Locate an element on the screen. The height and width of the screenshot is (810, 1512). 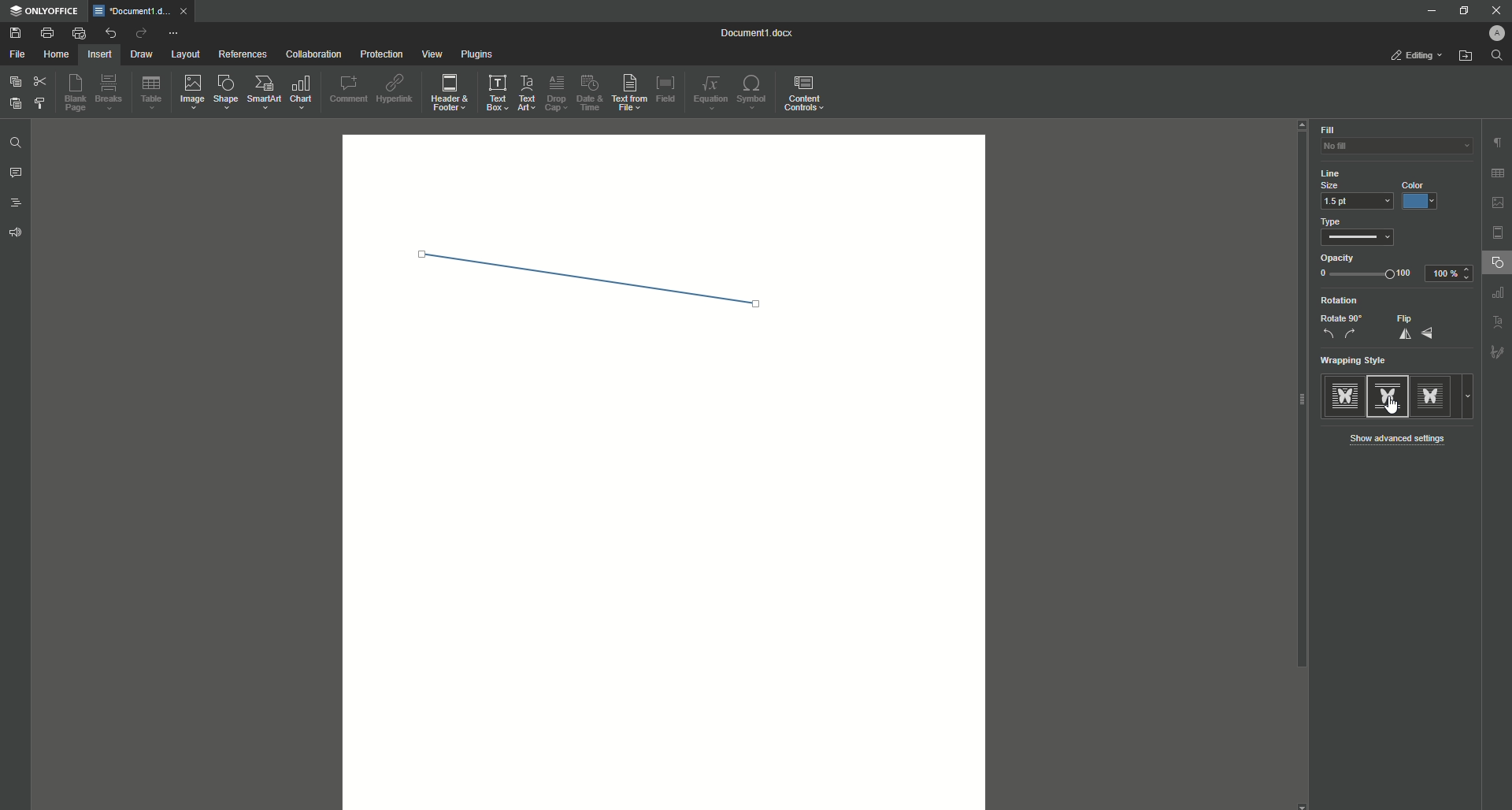
Feedback is located at coordinates (13, 236).